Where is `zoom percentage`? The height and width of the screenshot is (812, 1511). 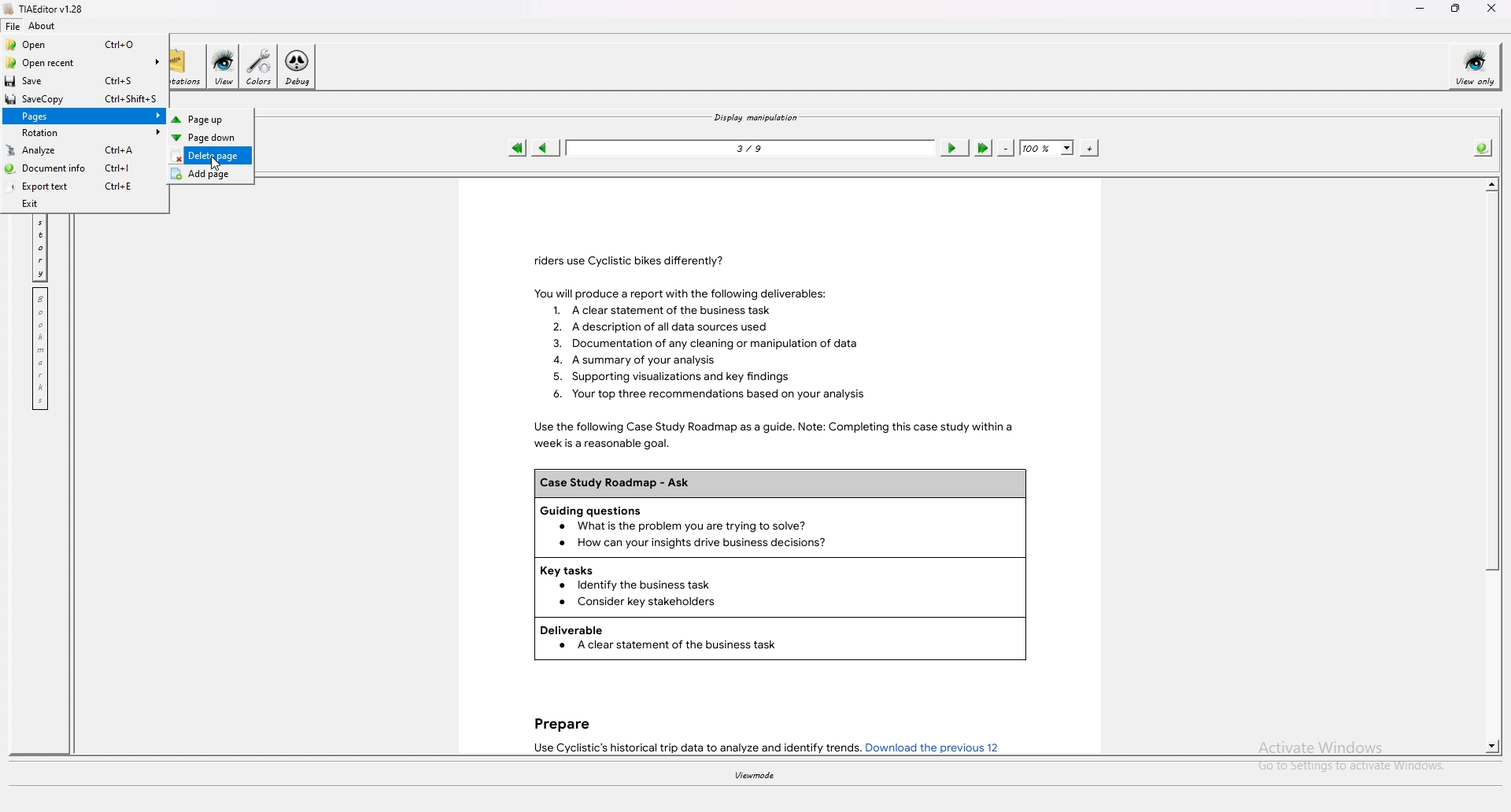
zoom percentage is located at coordinates (1047, 148).